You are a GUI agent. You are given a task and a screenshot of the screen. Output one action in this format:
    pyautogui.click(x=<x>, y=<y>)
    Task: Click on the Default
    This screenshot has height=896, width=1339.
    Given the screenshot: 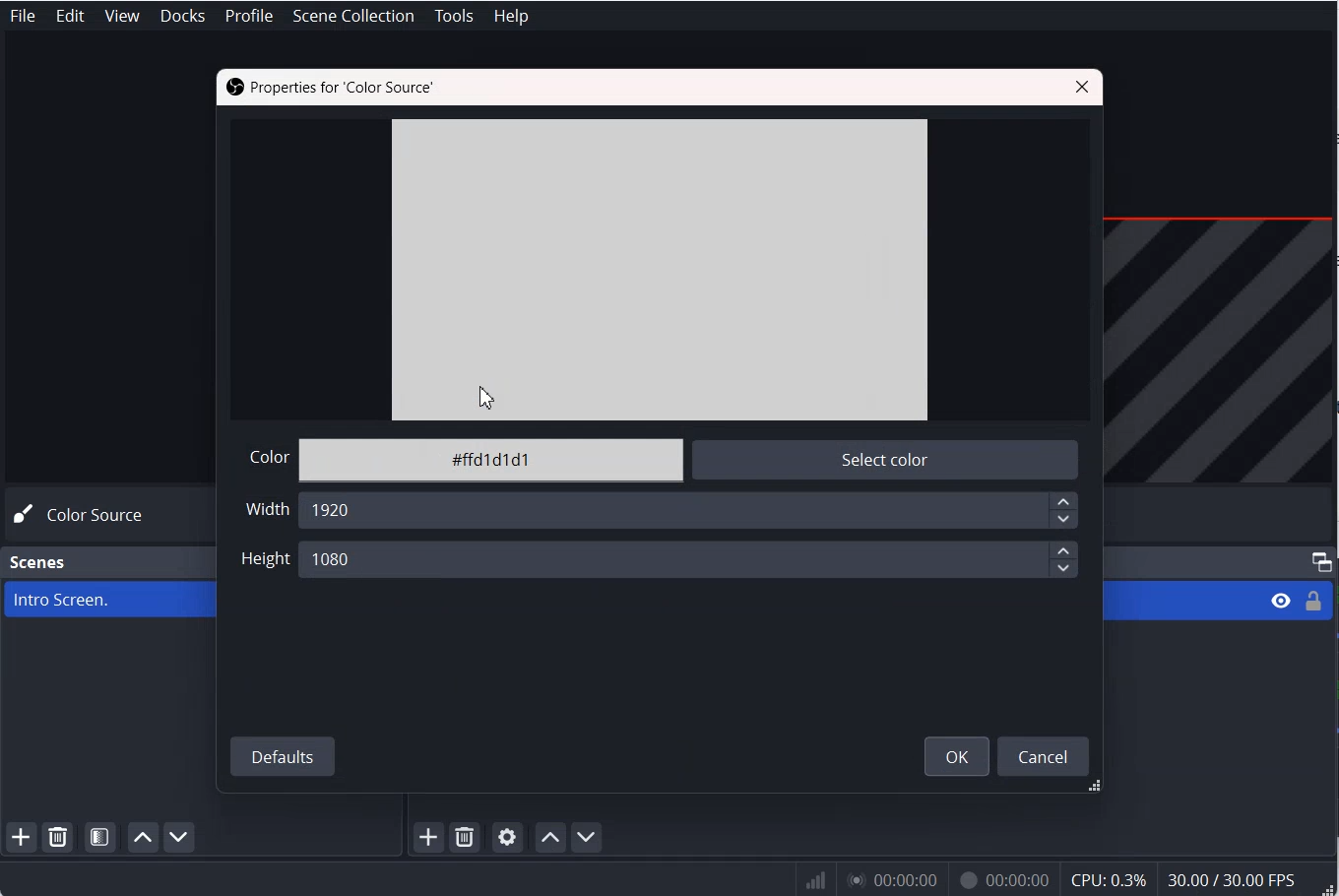 What is the action you would take?
    pyautogui.click(x=283, y=755)
    